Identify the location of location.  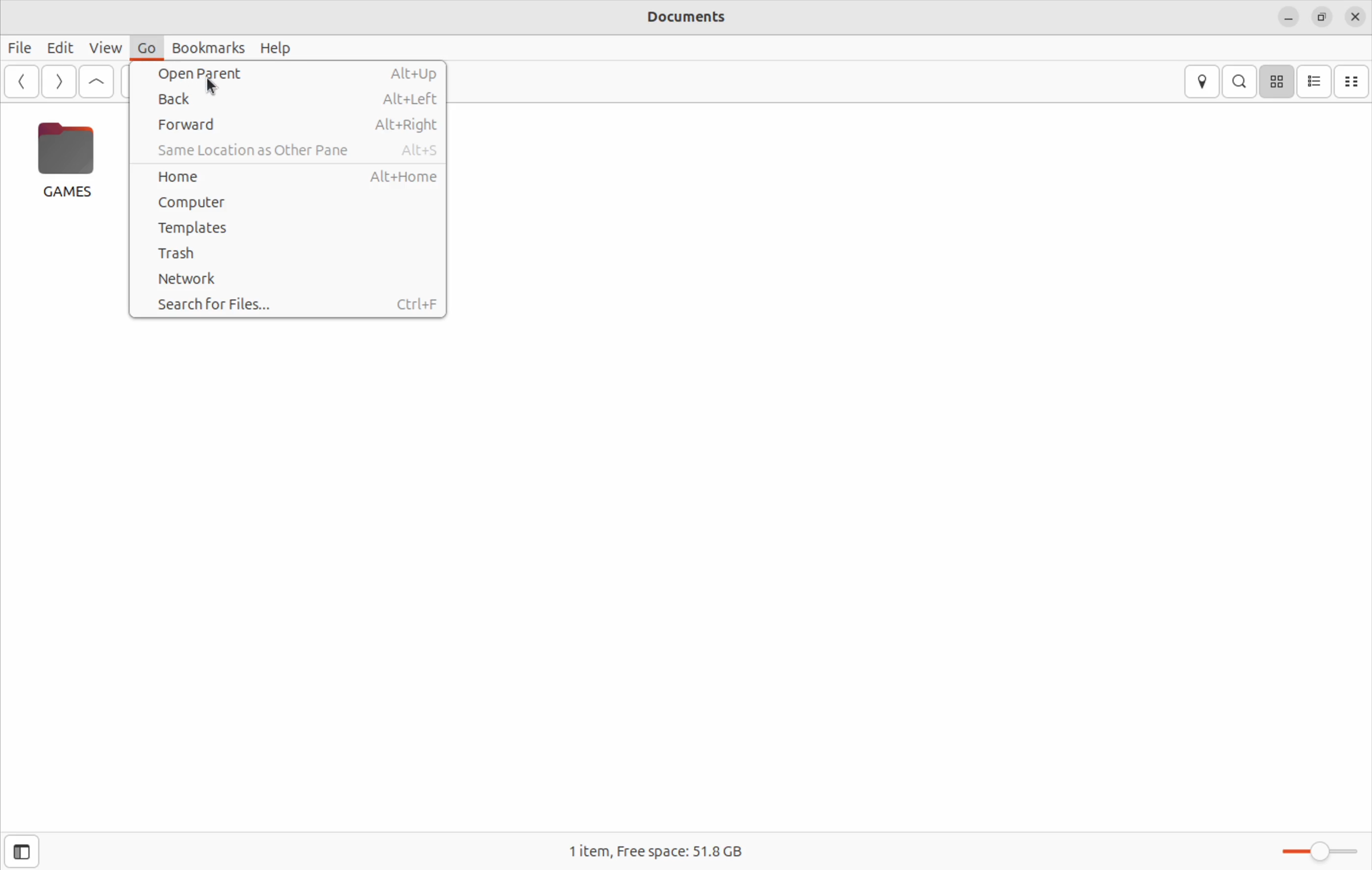
(1203, 82).